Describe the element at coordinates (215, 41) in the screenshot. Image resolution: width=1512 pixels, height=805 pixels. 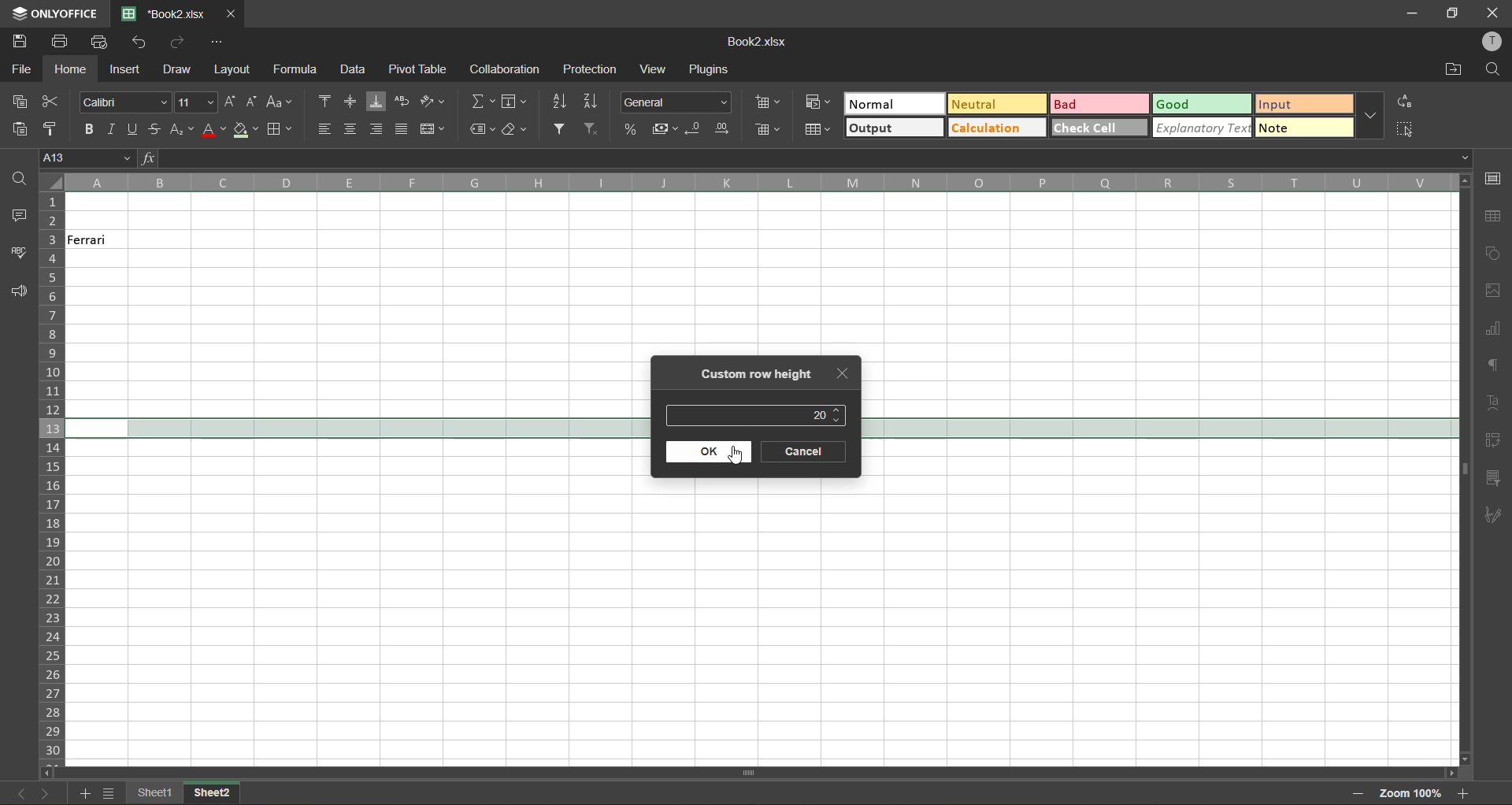
I see `customize quick access toolbar` at that location.